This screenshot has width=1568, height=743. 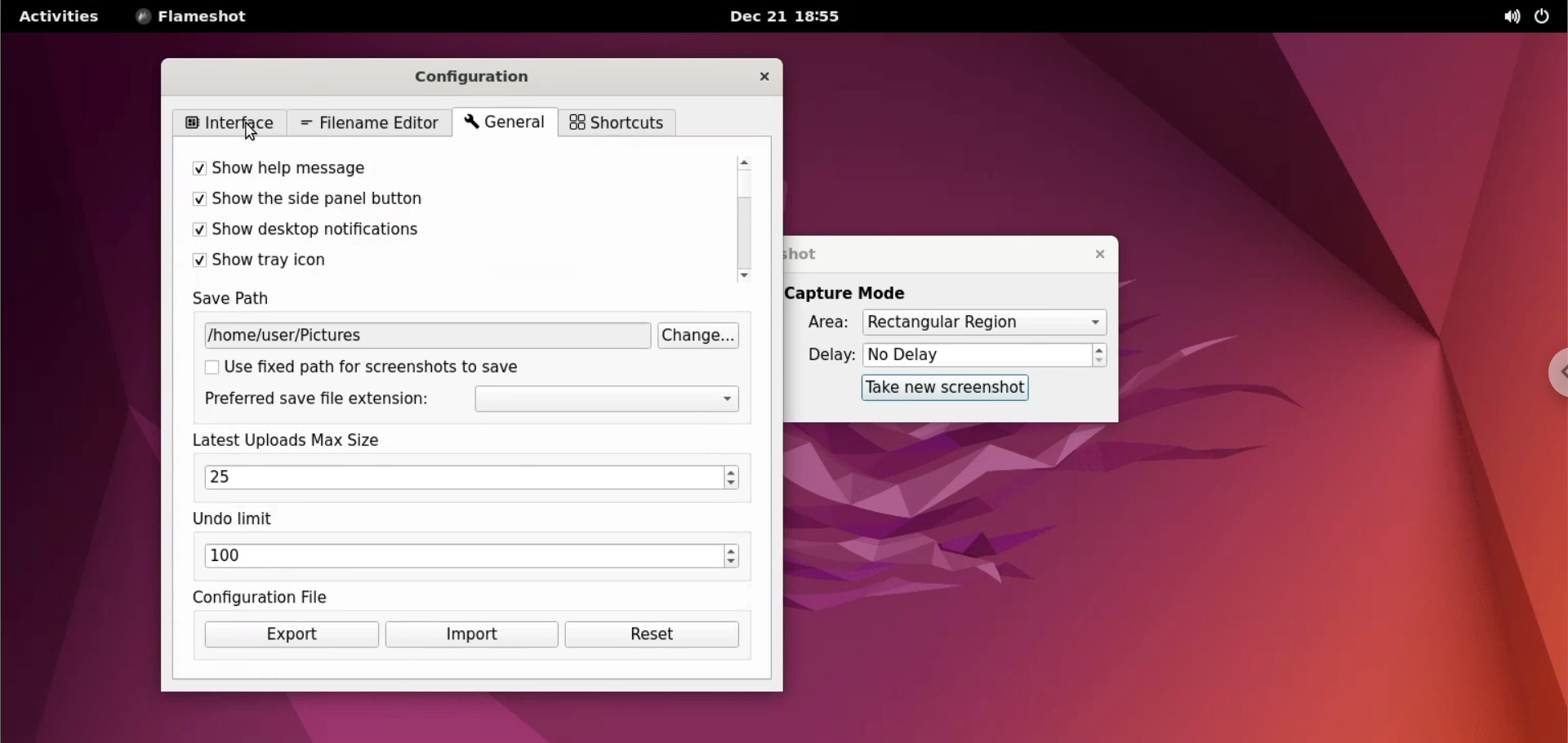 What do you see at coordinates (58, 22) in the screenshot?
I see `Activities` at bounding box center [58, 22].